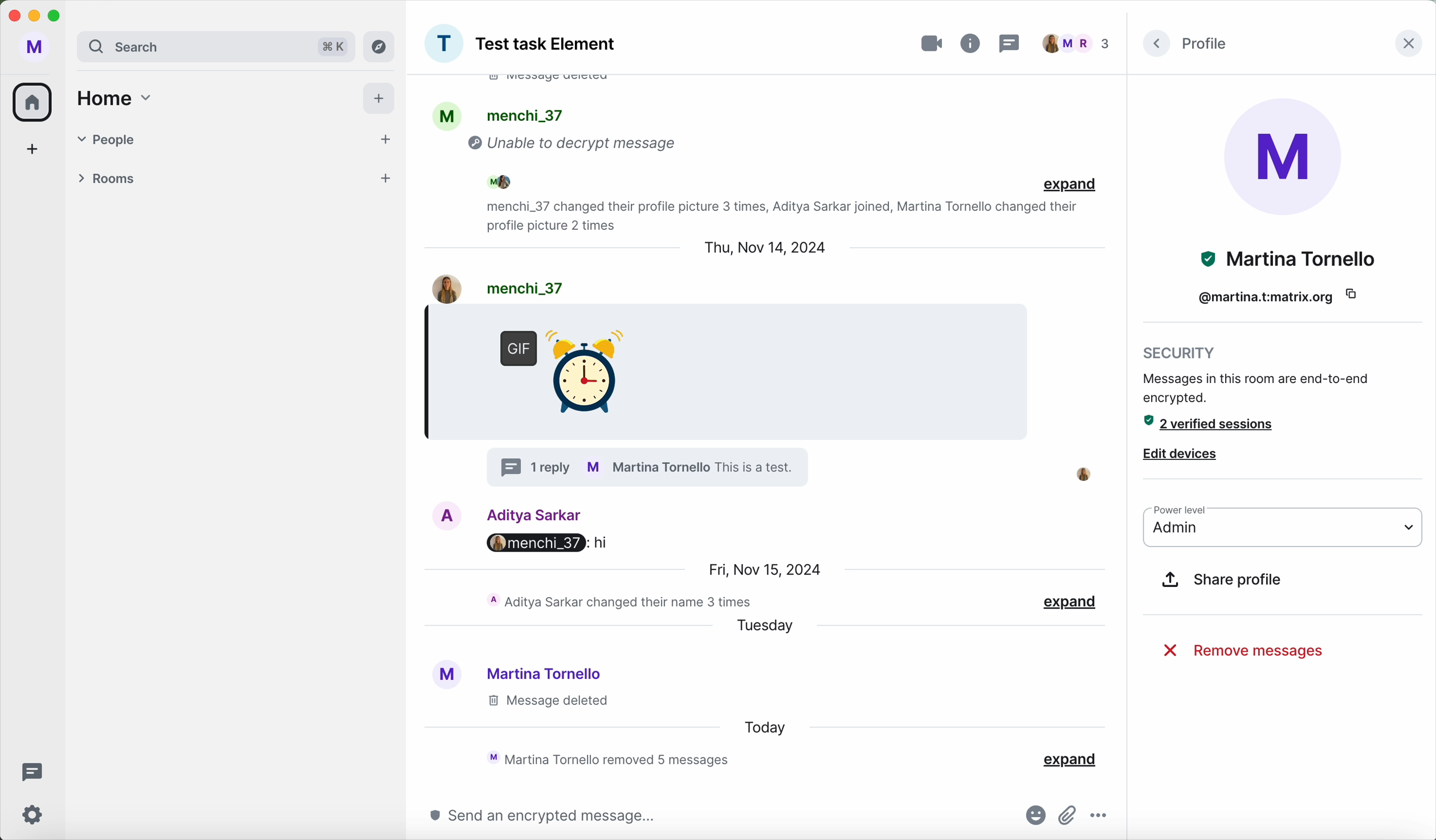 Image resolution: width=1436 pixels, height=840 pixels. What do you see at coordinates (385, 178) in the screenshot?
I see `add` at bounding box center [385, 178].